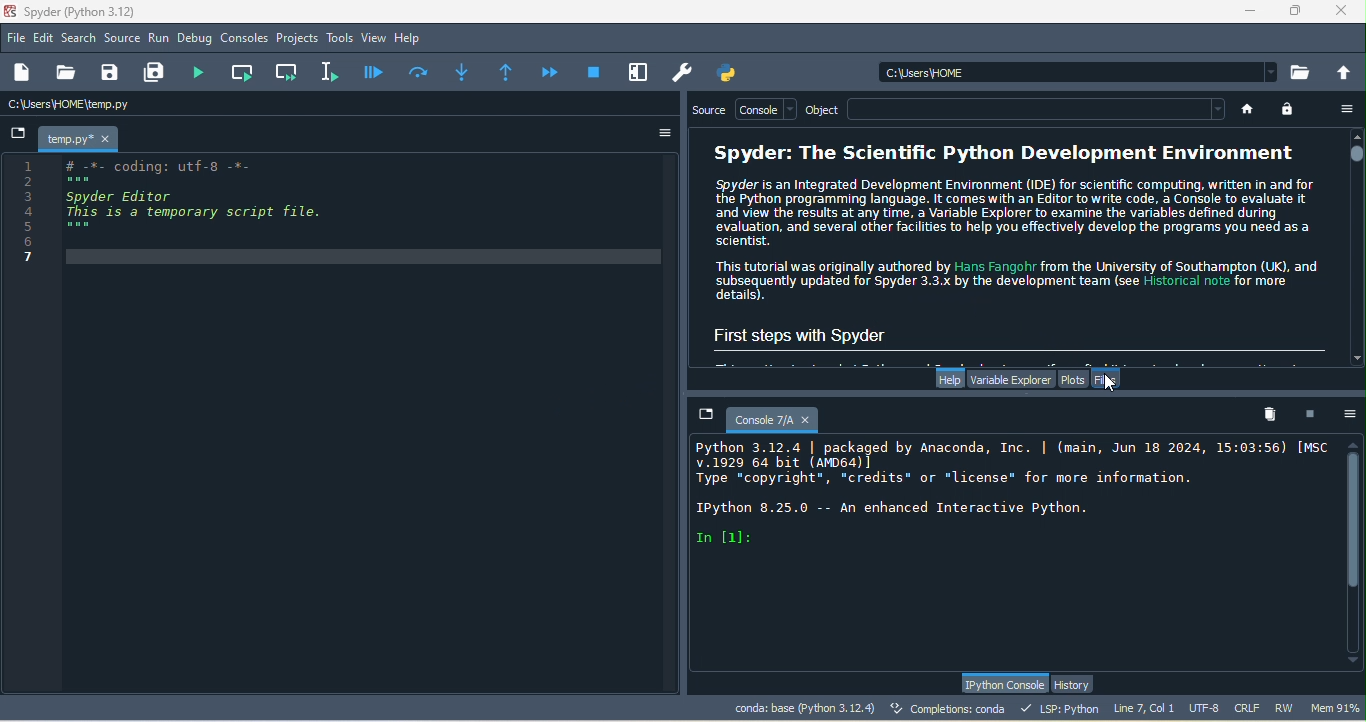 The image size is (1366, 722). I want to click on python console, so click(1003, 684).